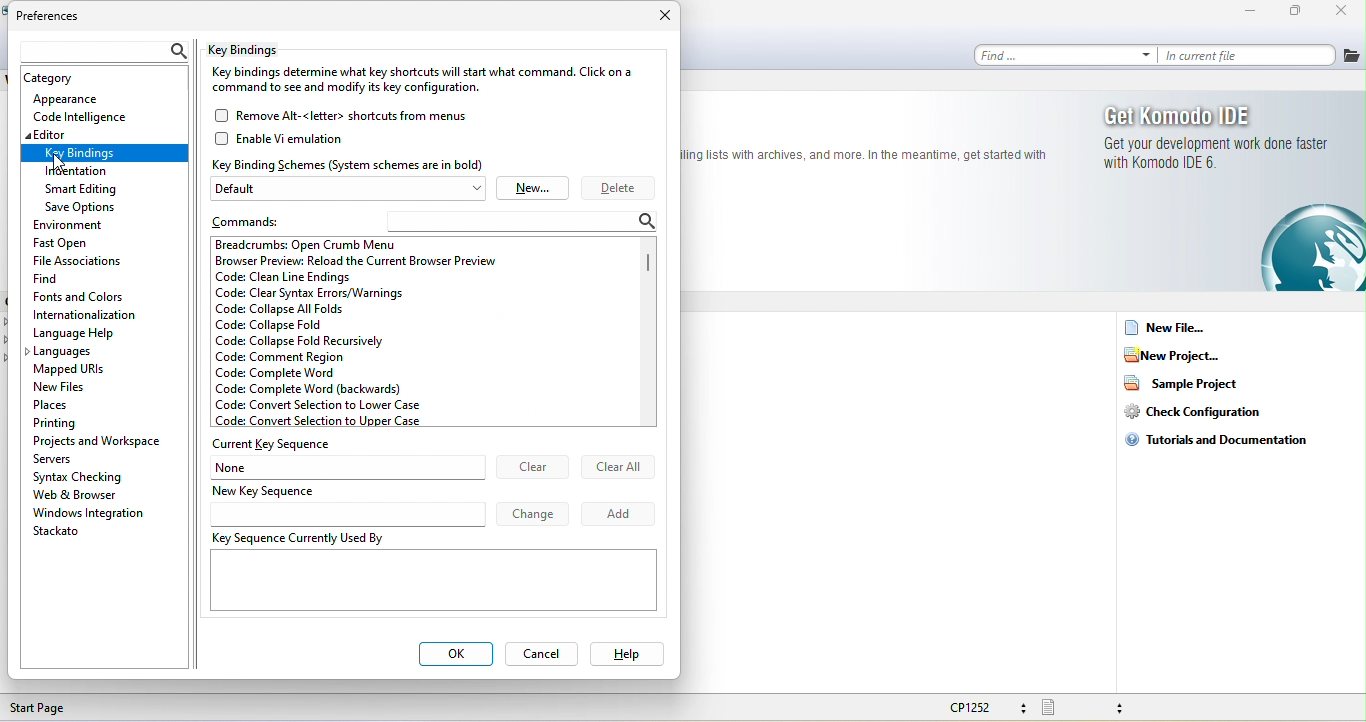  Describe the element at coordinates (1250, 12) in the screenshot. I see `minimize` at that location.